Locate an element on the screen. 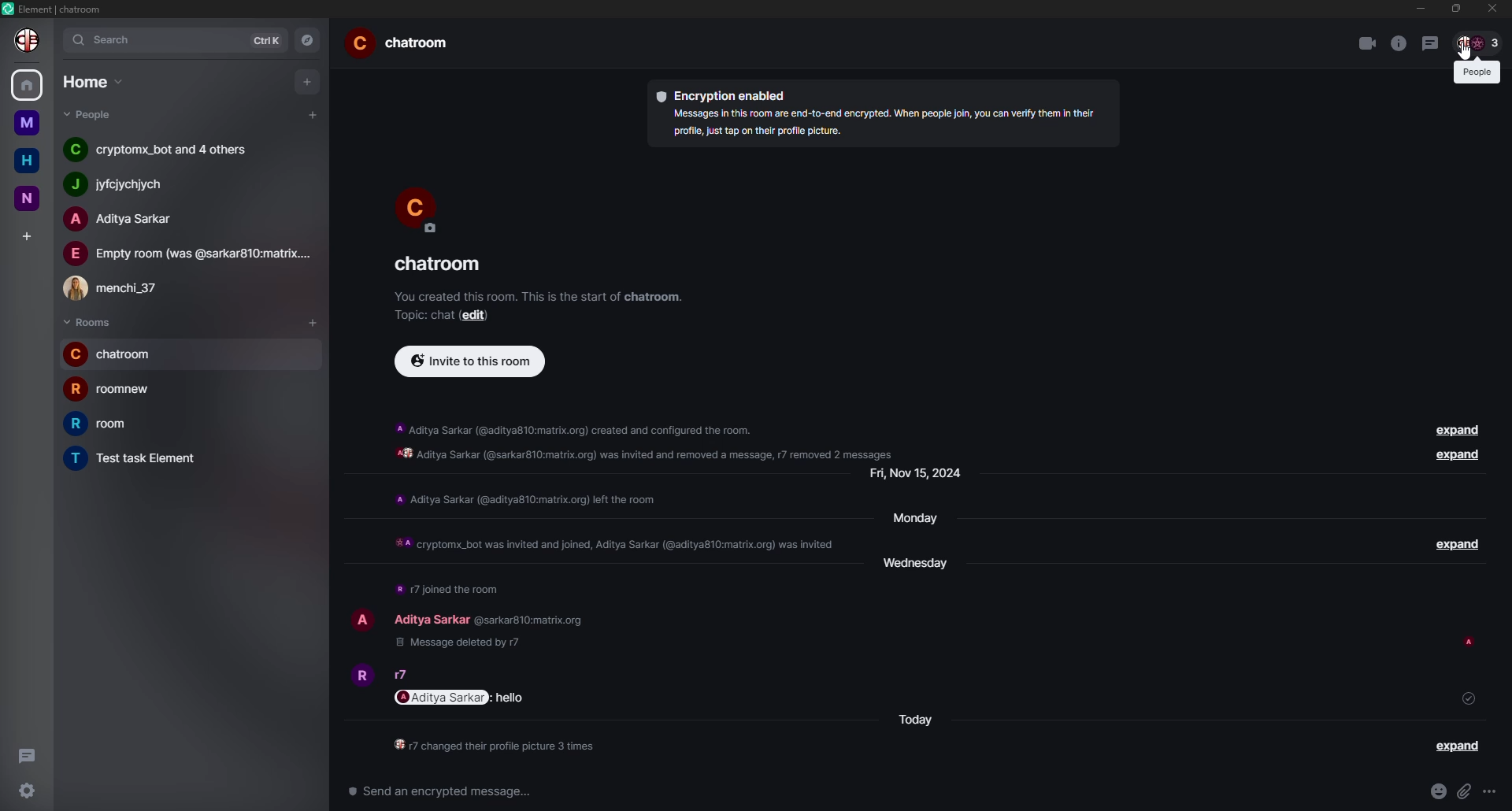 The width and height of the screenshot is (1512, 811). info is located at coordinates (526, 499).